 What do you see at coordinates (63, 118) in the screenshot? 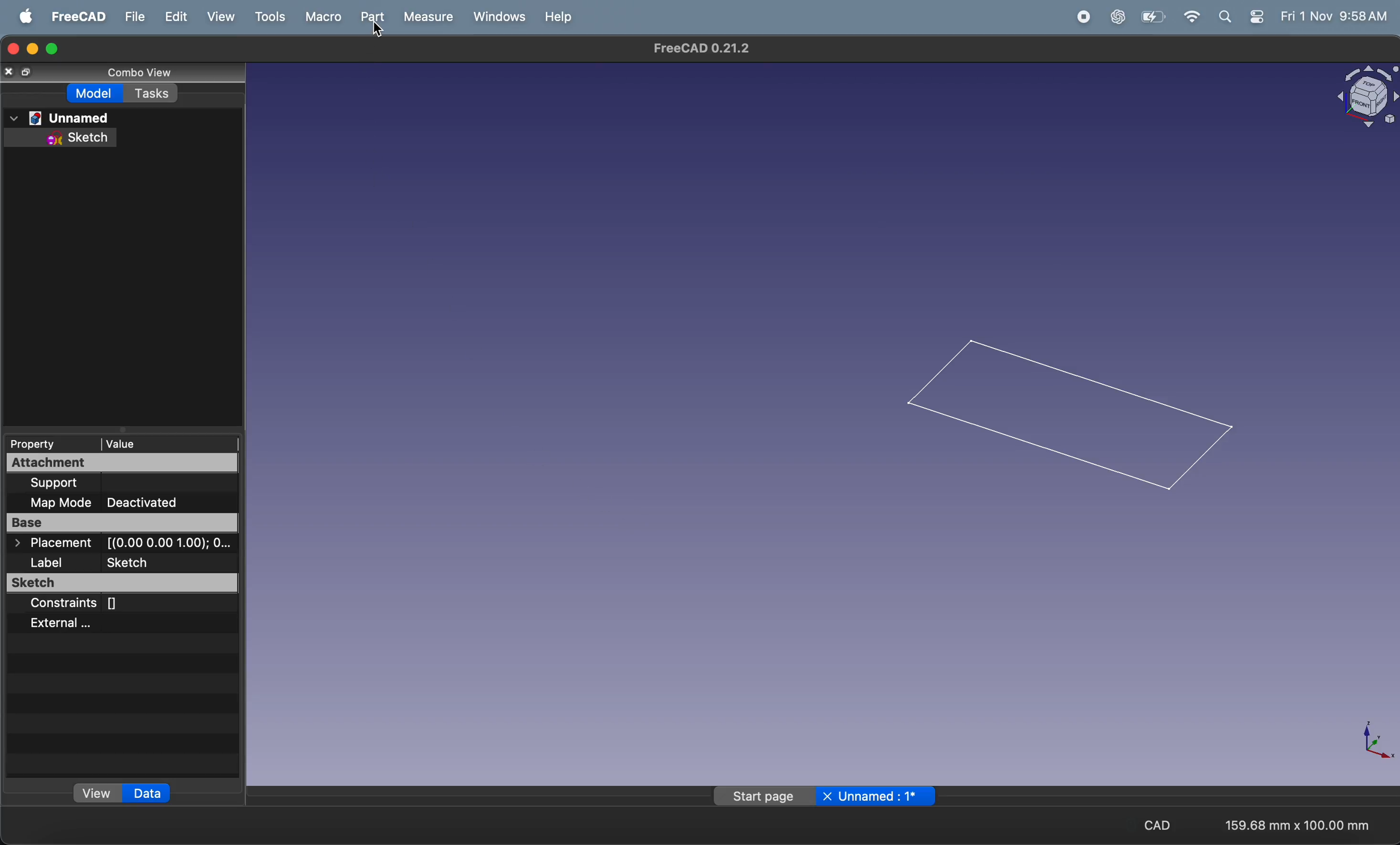
I see `unnamed` at bounding box center [63, 118].